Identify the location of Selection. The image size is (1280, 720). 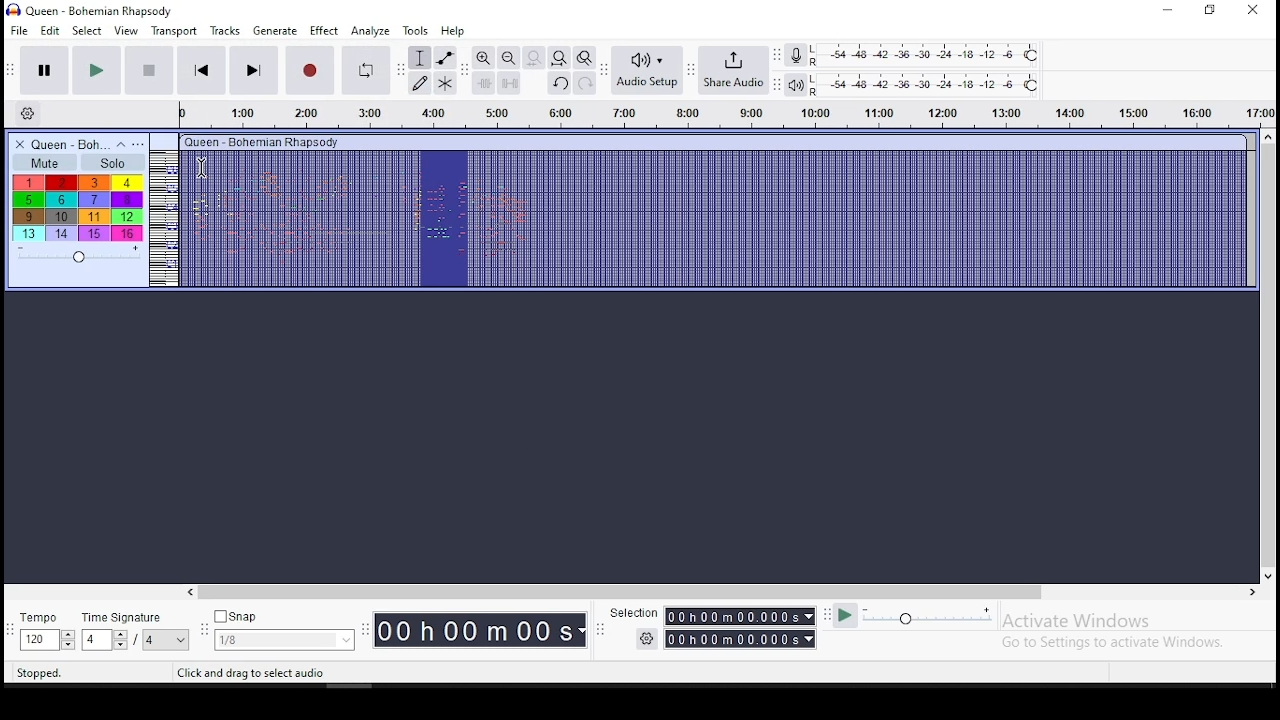
(631, 612).